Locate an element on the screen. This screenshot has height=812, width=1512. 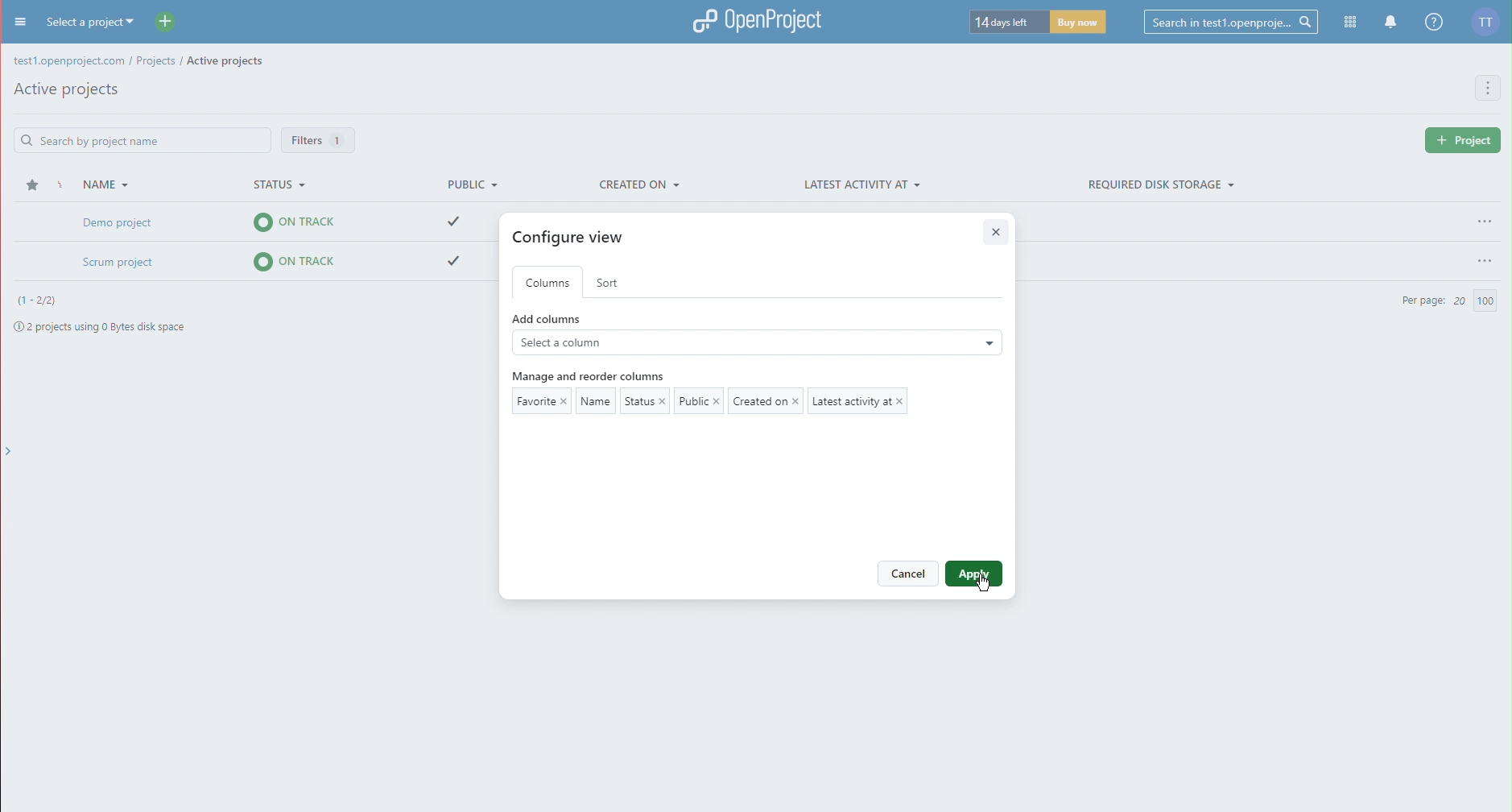
Name is located at coordinates (96, 180).